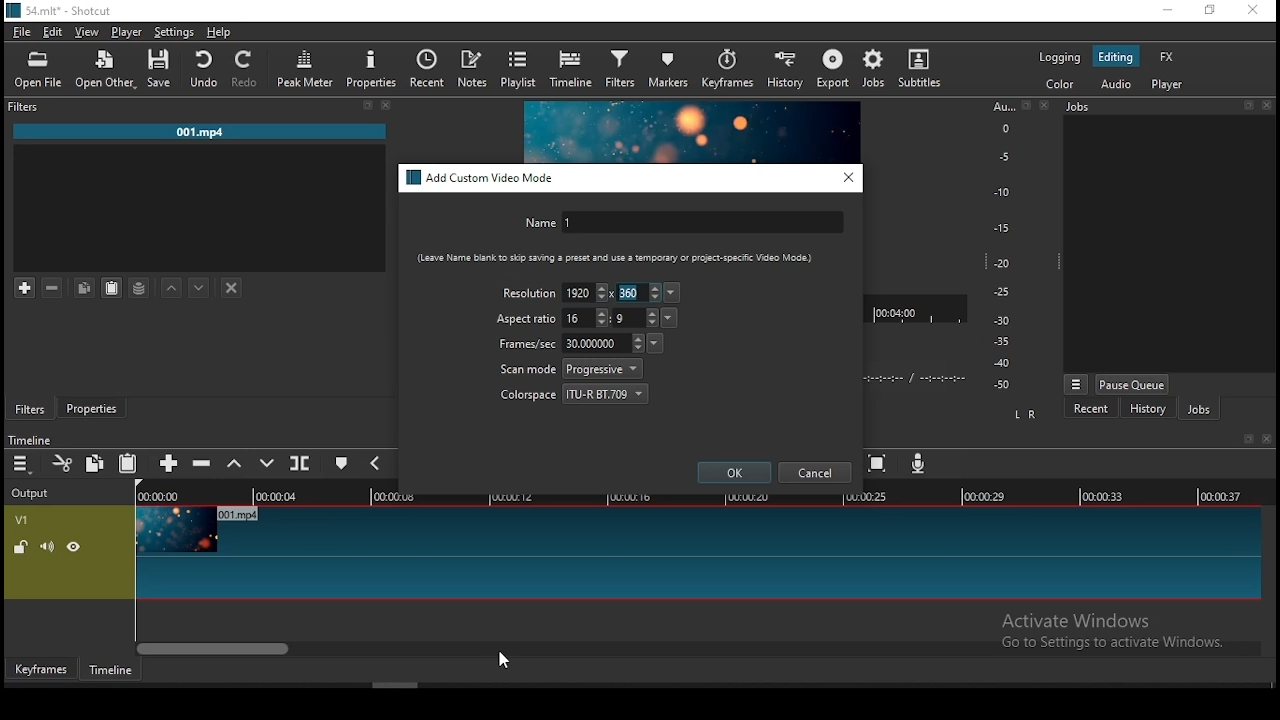 This screenshot has height=720, width=1280. I want to click on 00:00:12, so click(515, 496).